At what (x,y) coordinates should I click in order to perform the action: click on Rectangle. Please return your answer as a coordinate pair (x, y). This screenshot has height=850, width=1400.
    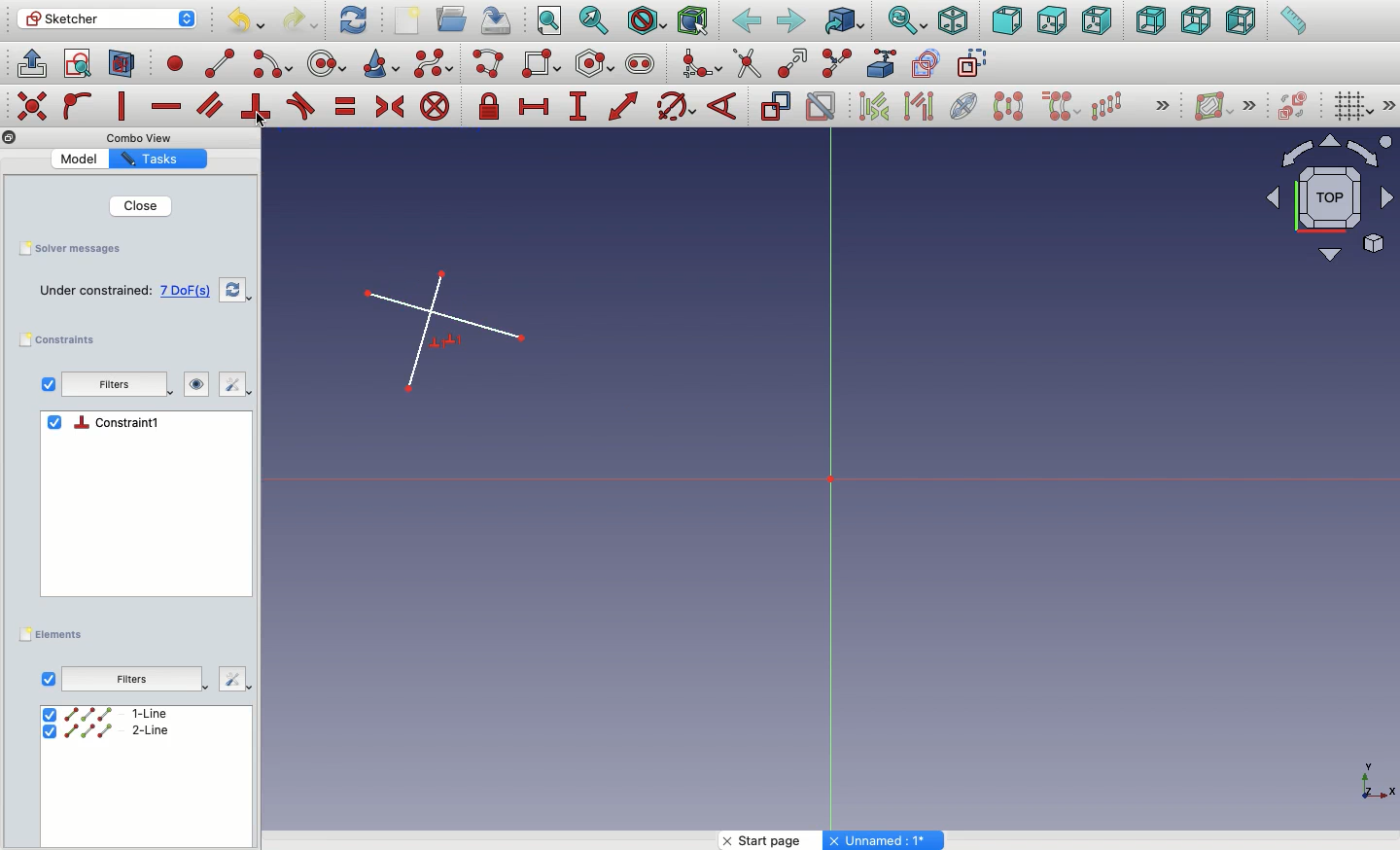
    Looking at the image, I should click on (543, 64).